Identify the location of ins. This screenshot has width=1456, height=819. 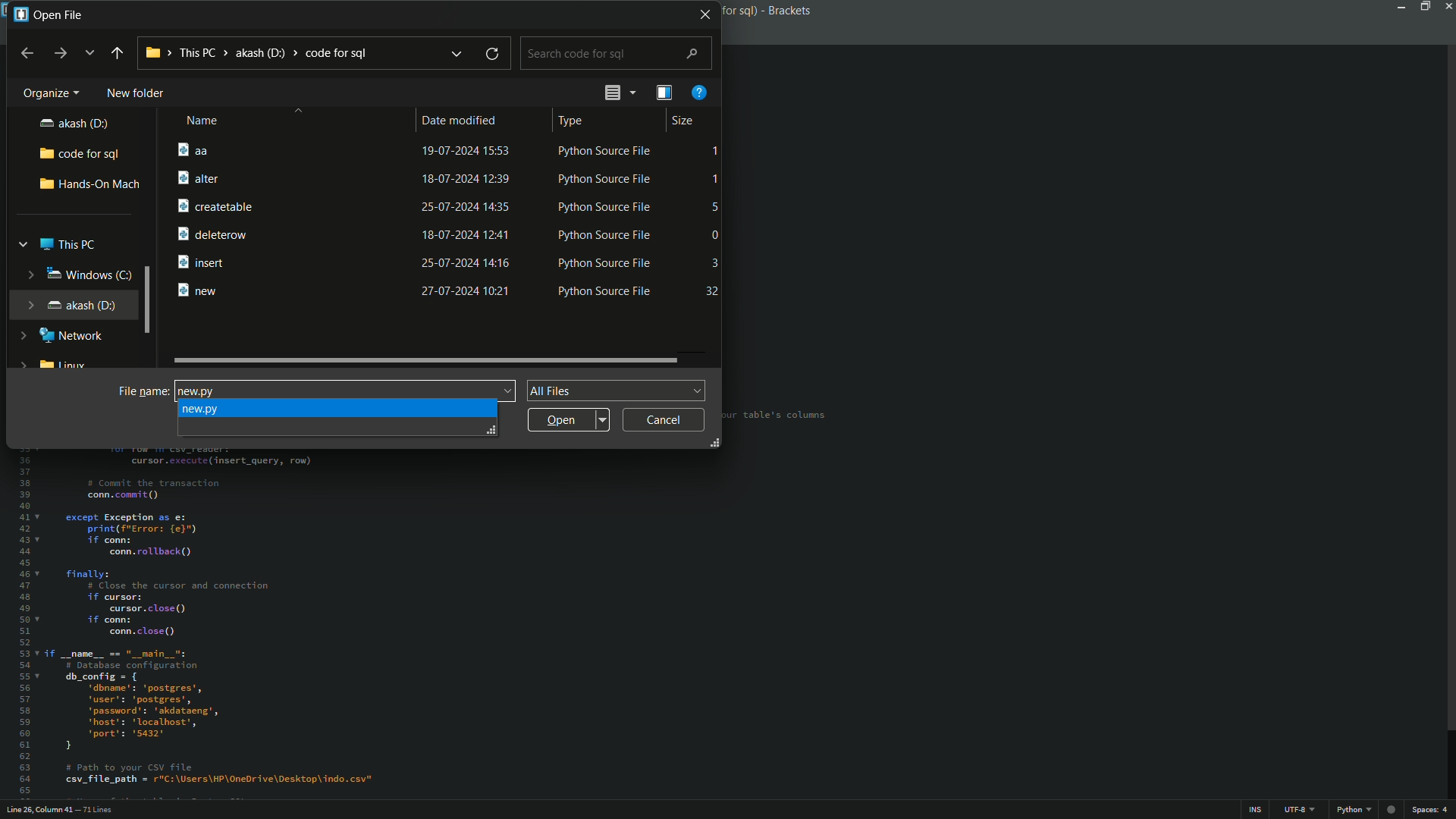
(1257, 810).